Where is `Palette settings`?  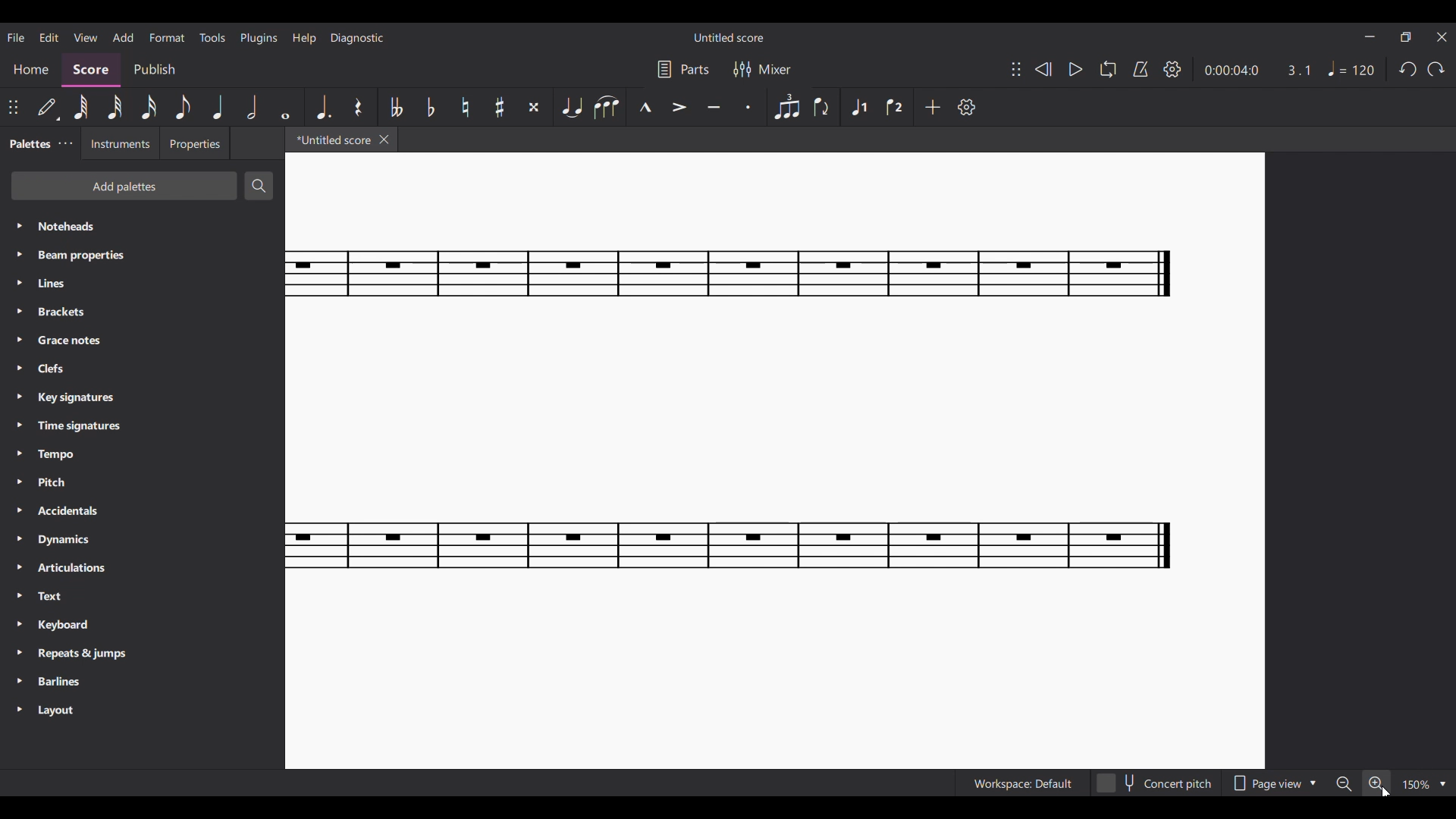 Palette settings is located at coordinates (66, 143).